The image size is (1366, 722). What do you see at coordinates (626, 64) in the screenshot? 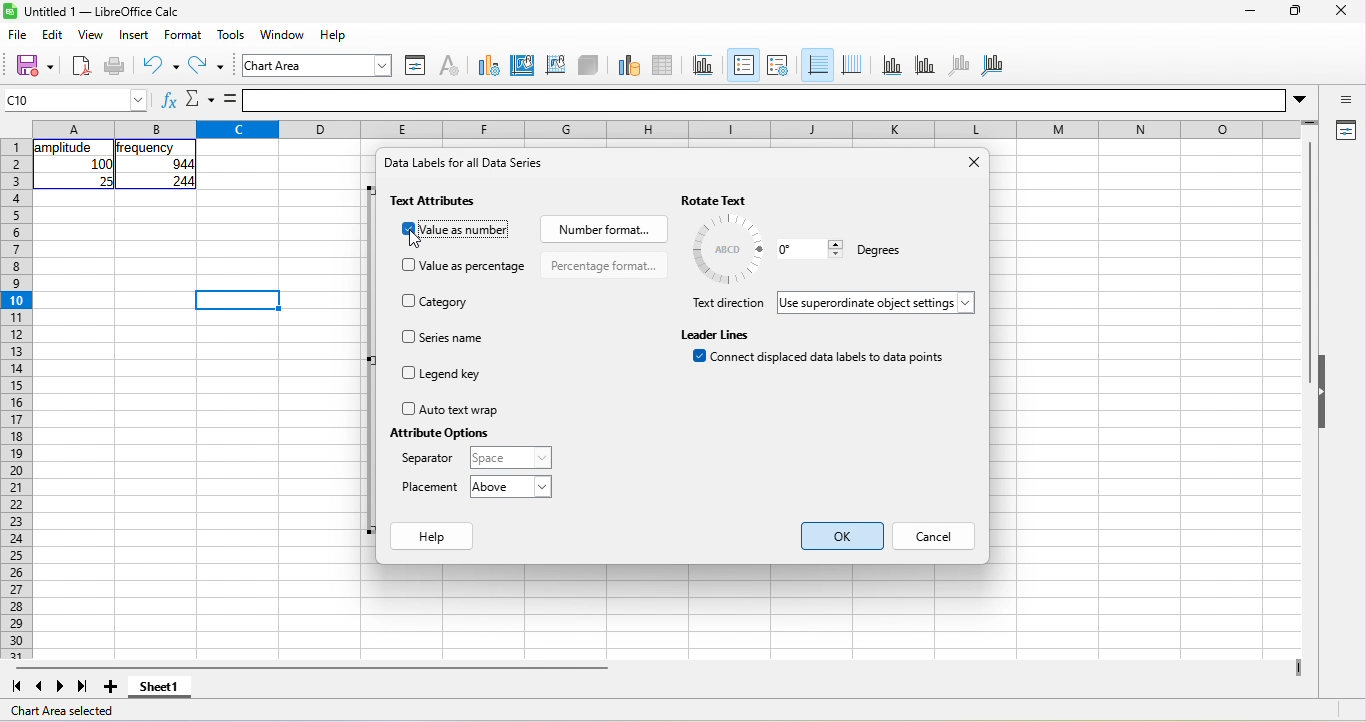
I see `data range` at bounding box center [626, 64].